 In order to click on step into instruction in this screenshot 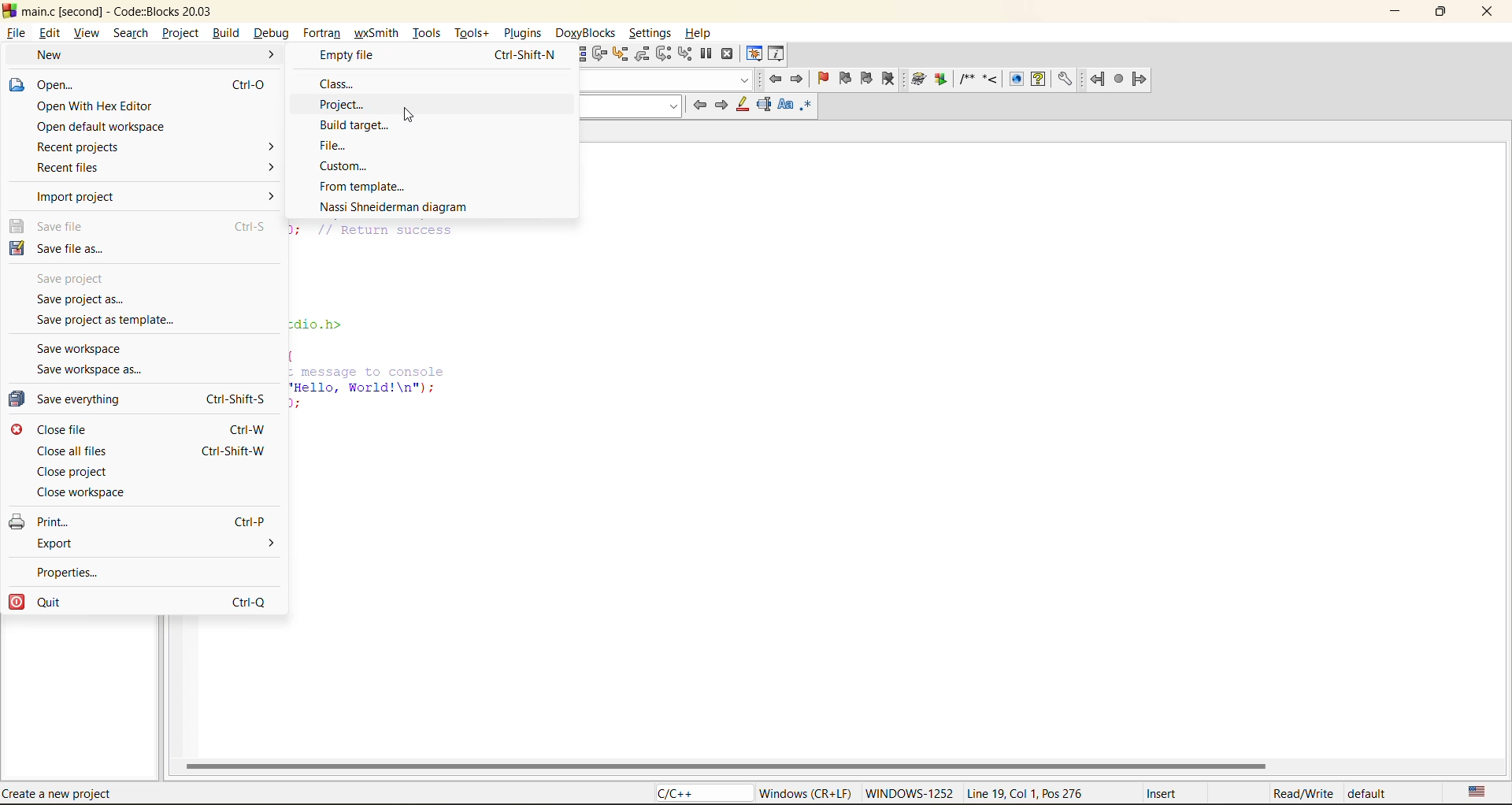, I will do `click(684, 53)`.